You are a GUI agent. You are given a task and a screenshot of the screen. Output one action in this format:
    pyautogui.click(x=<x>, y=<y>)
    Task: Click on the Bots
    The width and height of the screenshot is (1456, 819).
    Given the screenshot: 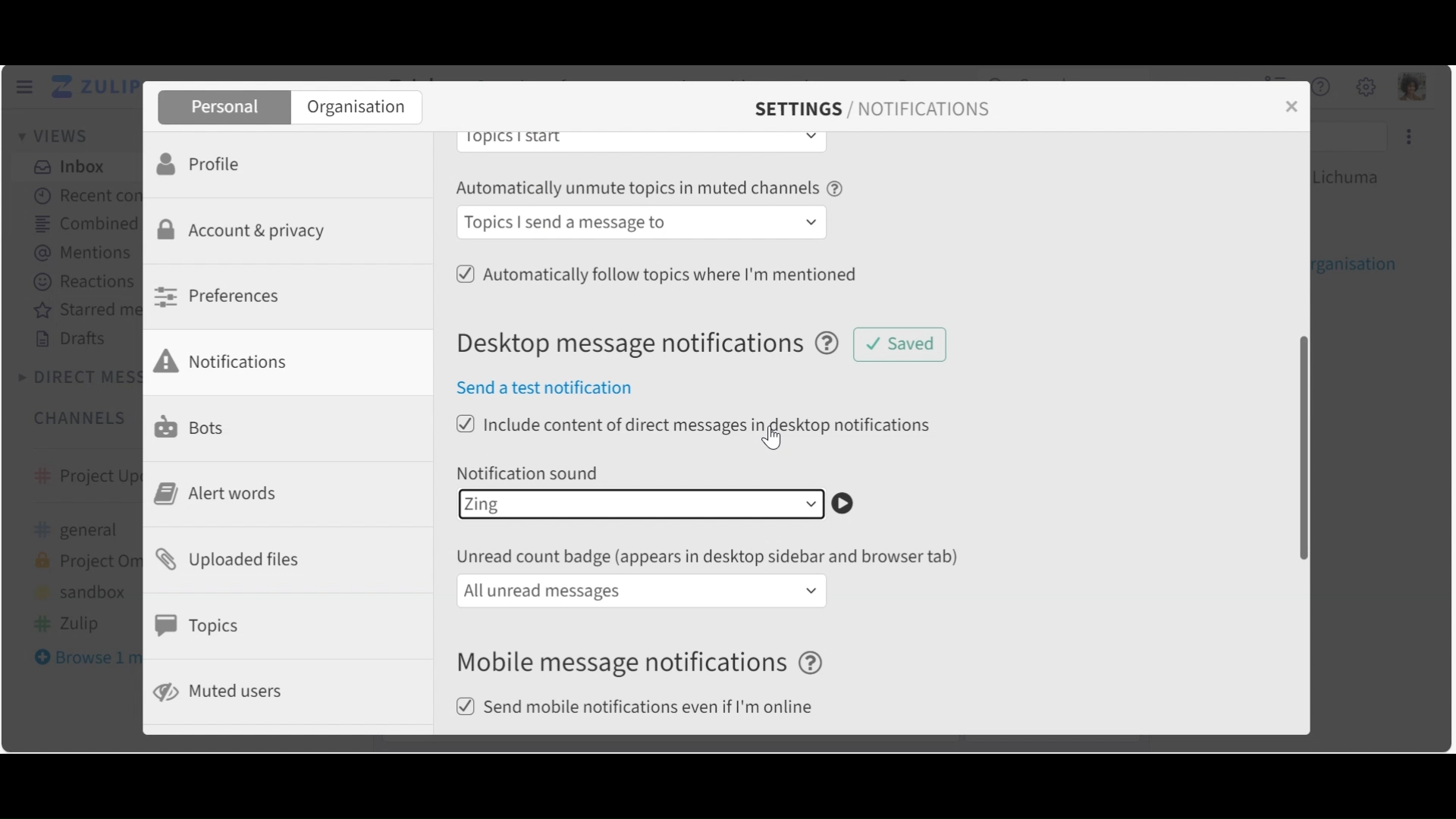 What is the action you would take?
    pyautogui.click(x=193, y=425)
    